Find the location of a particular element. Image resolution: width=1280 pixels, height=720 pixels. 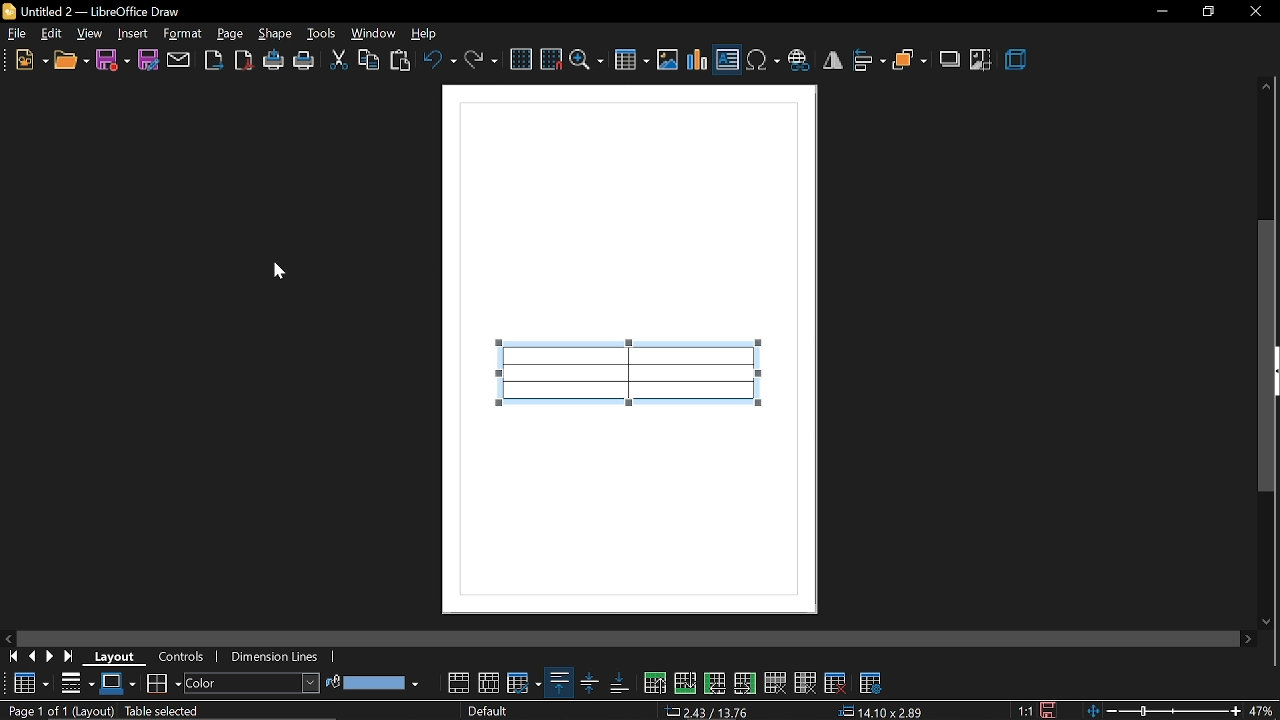

delete row is located at coordinates (776, 683).